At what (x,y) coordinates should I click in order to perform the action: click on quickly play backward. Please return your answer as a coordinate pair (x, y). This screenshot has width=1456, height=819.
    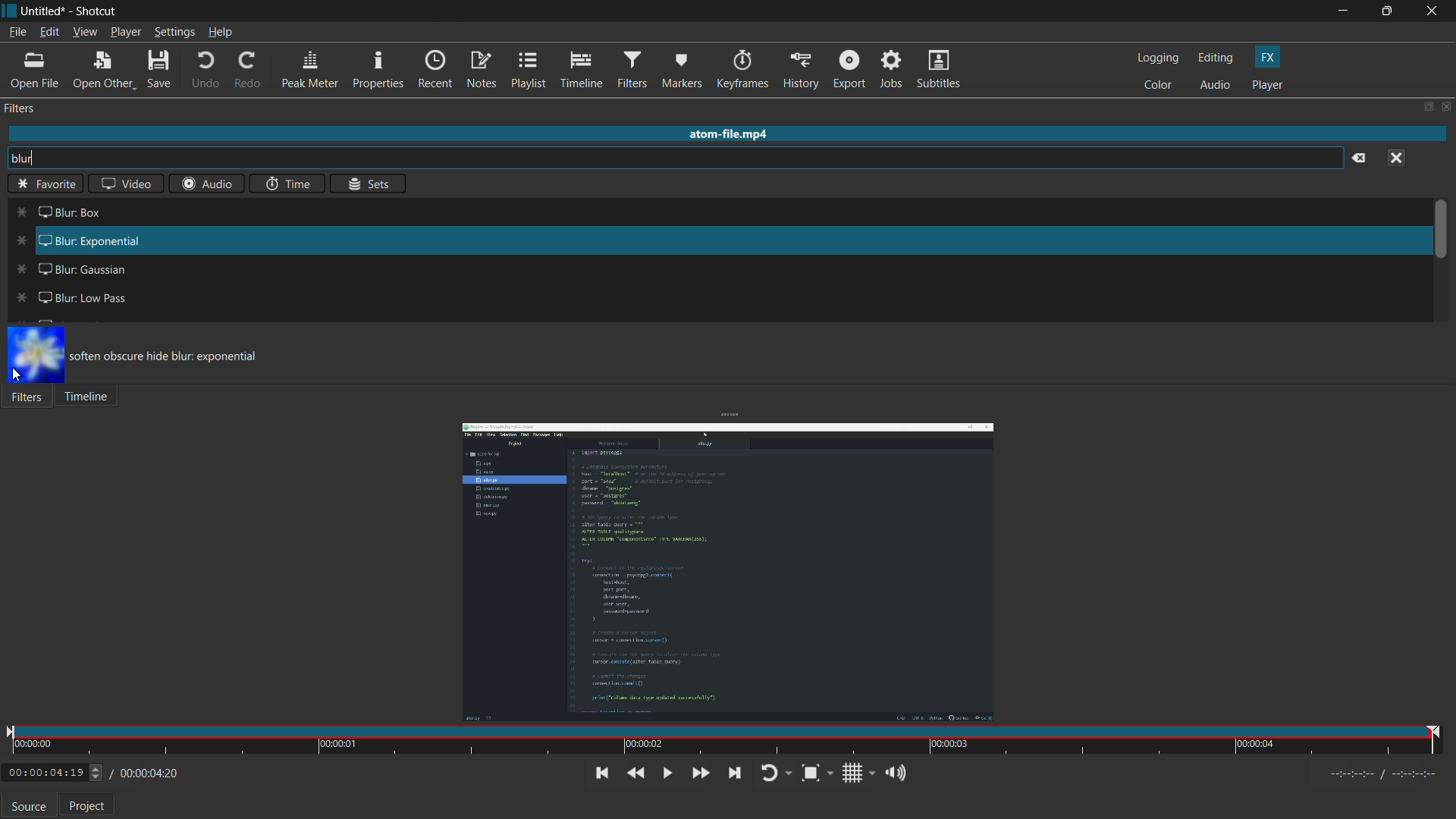
    Looking at the image, I should click on (635, 773).